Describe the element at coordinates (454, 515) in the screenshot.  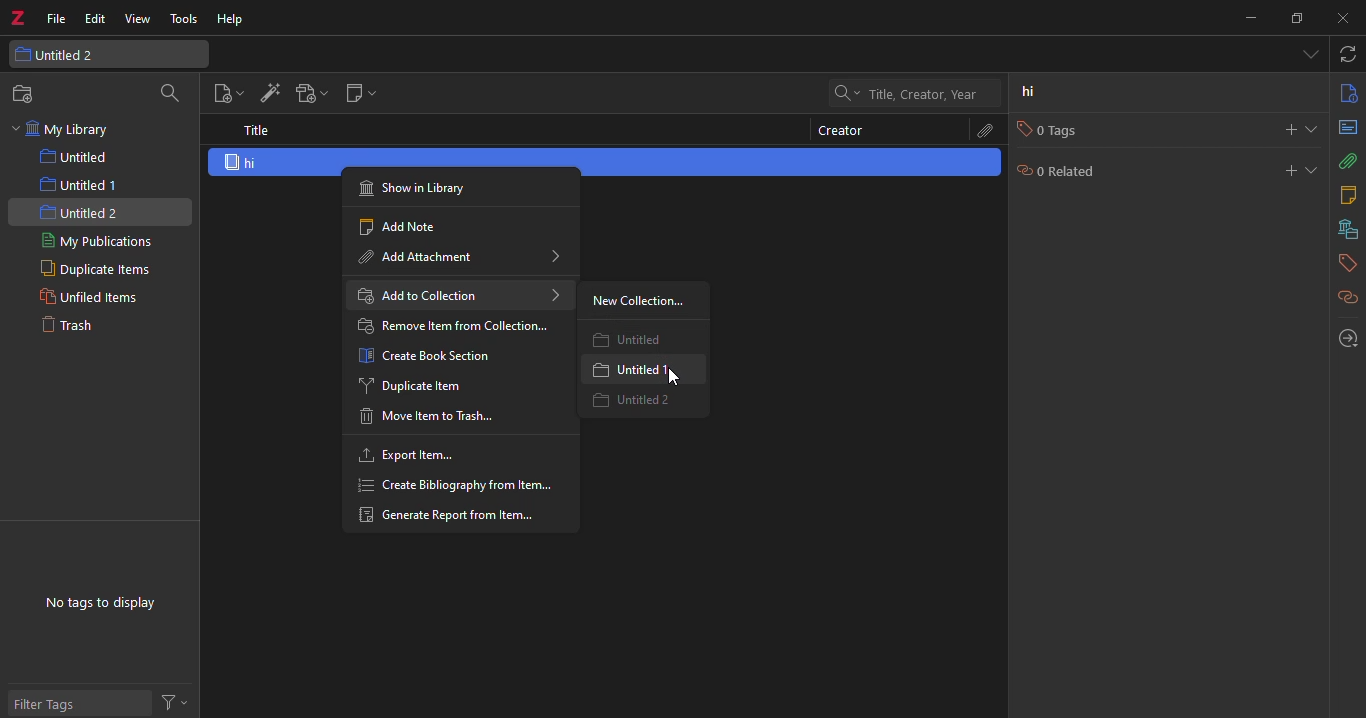
I see `generate report from item` at that location.